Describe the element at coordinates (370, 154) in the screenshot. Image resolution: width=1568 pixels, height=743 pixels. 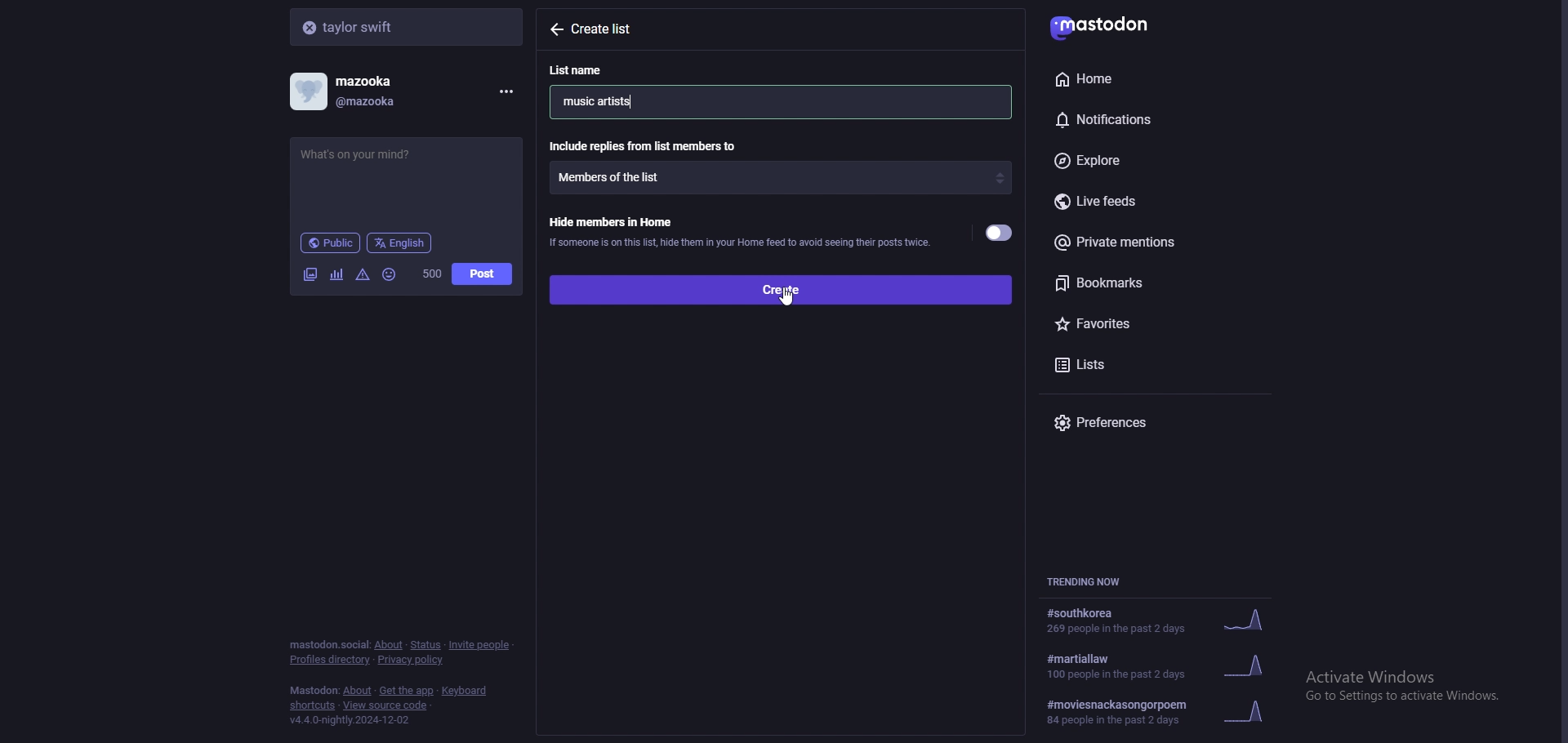
I see `status update` at that location.